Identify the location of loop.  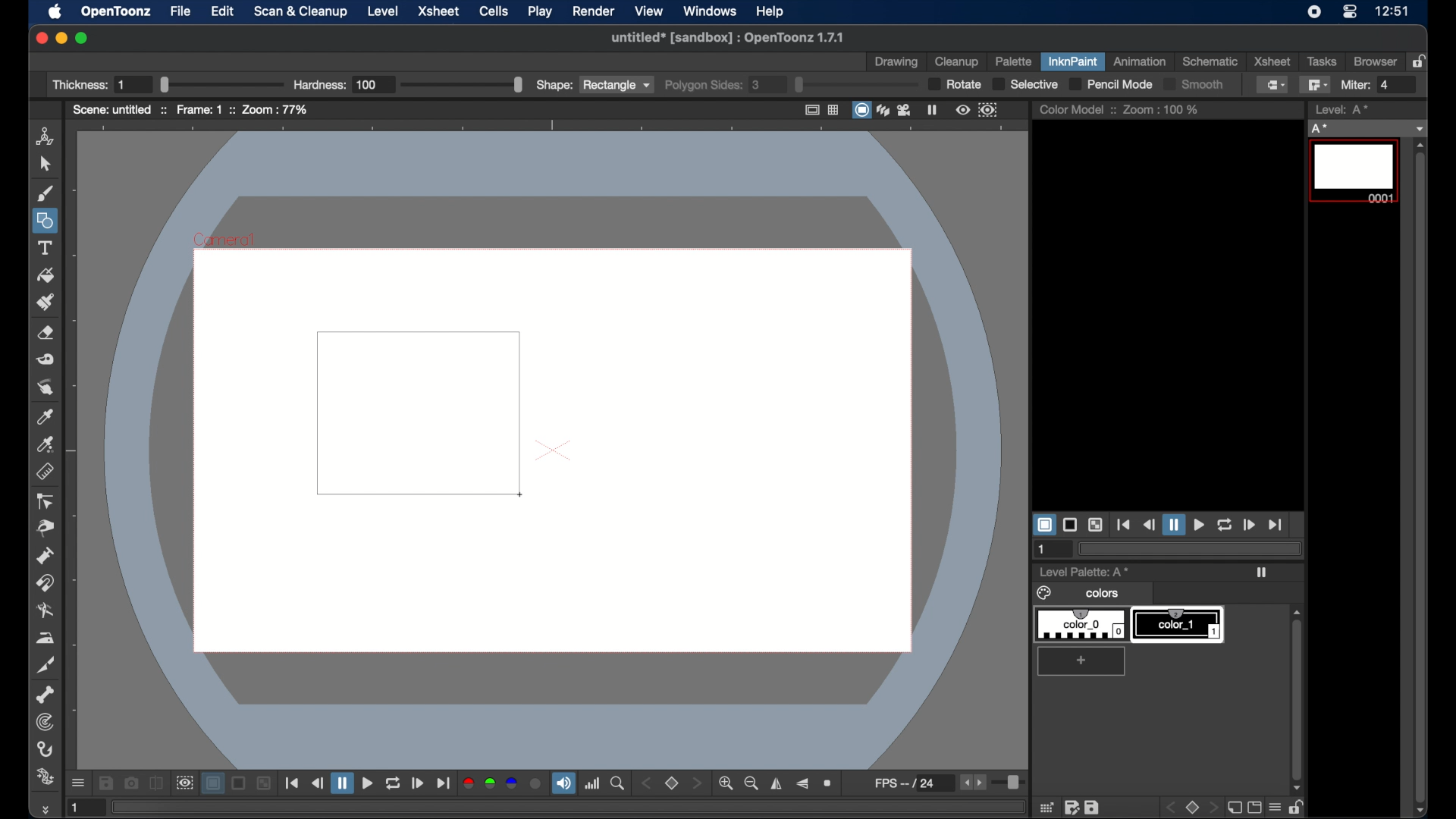
(1224, 525).